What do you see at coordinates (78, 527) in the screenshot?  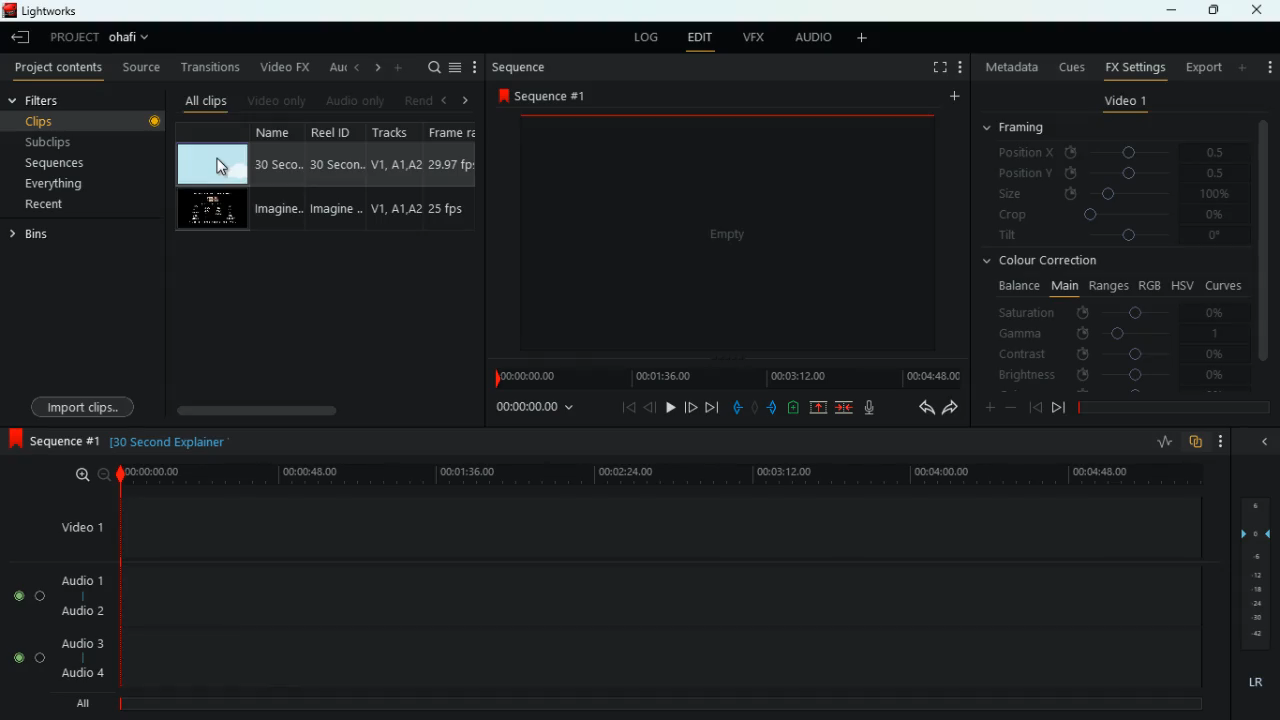 I see `video1` at bounding box center [78, 527].